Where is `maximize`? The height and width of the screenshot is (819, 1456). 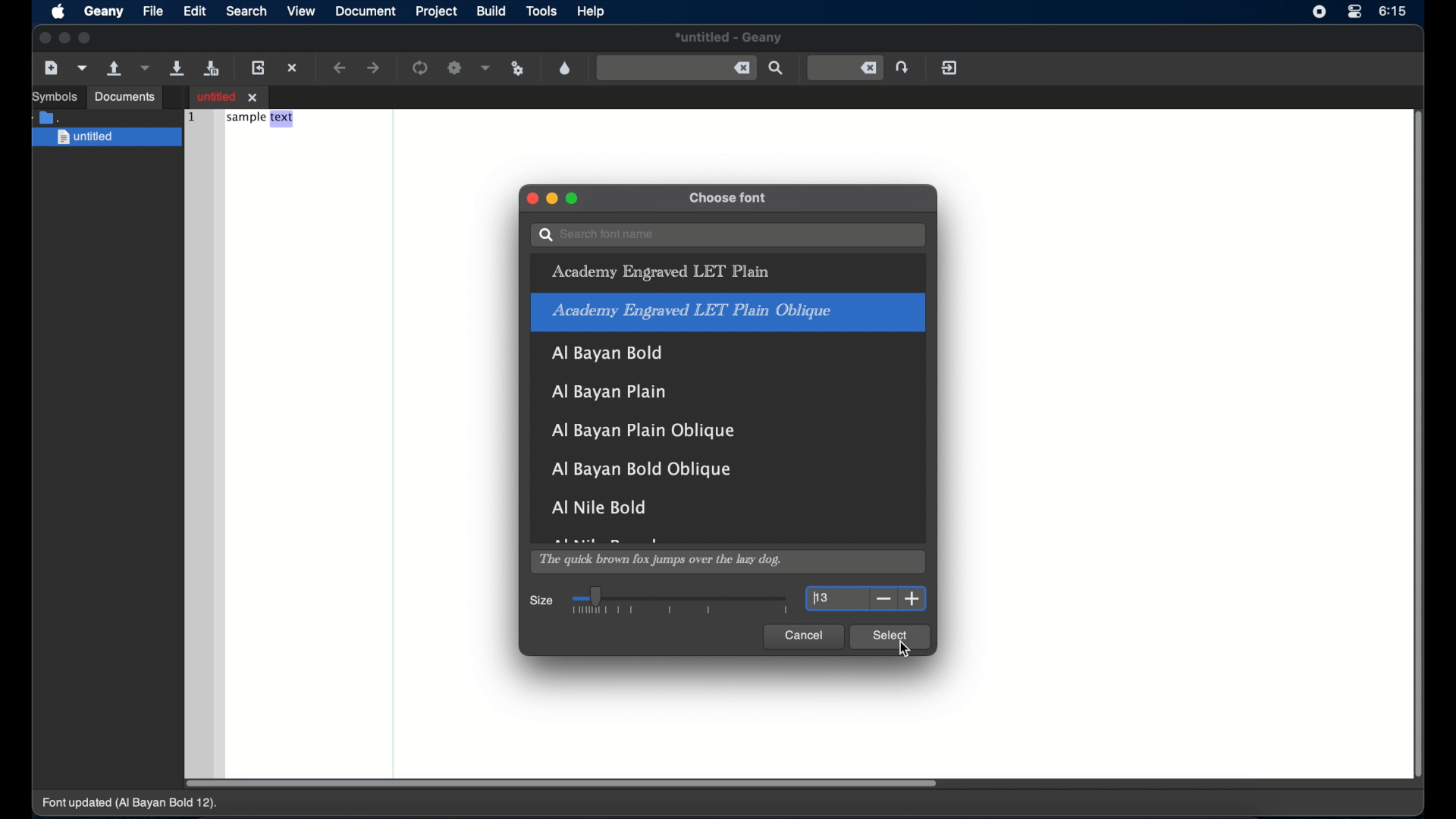
maximize is located at coordinates (87, 38).